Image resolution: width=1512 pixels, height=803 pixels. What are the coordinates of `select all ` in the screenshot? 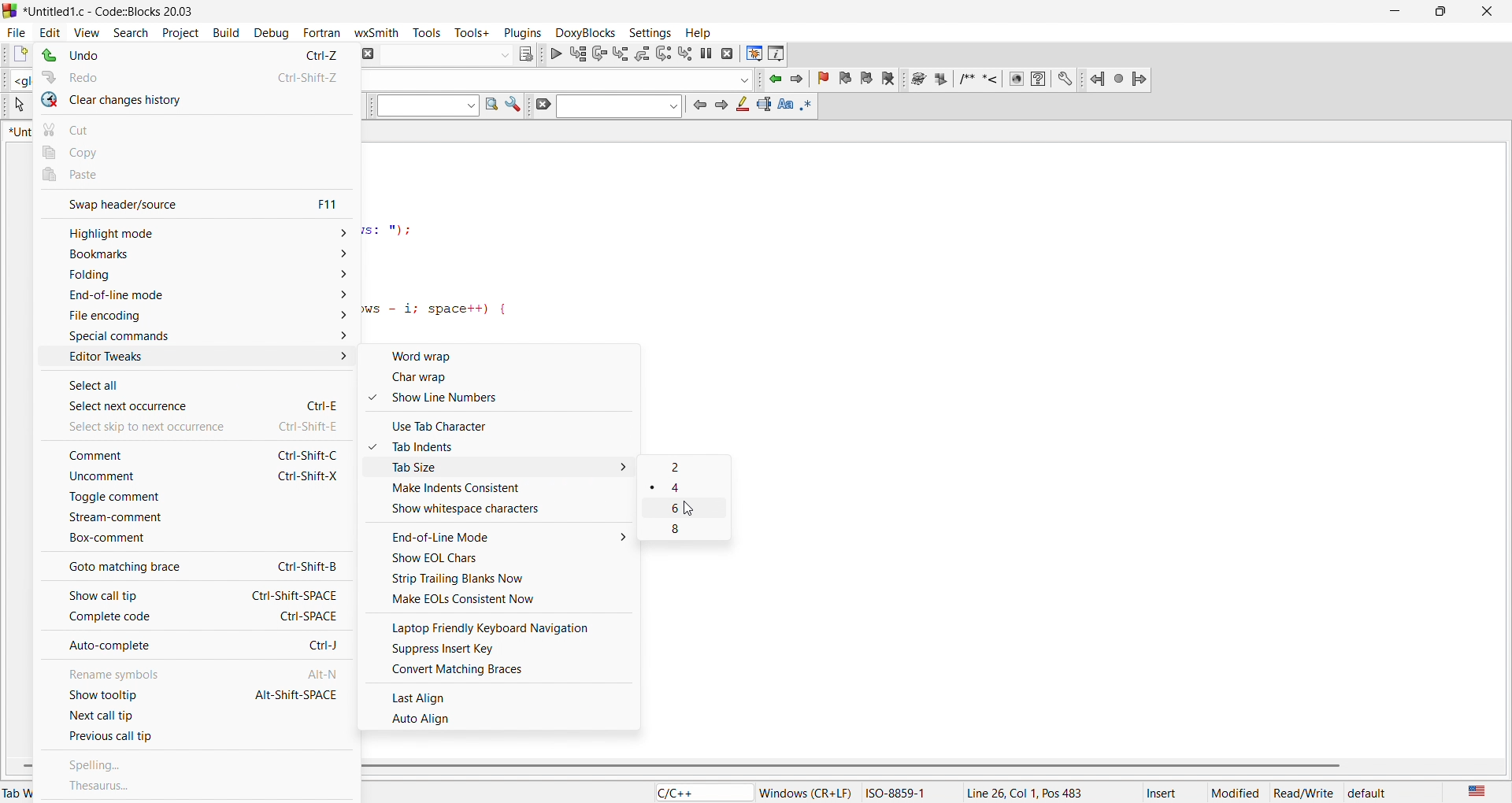 It's located at (135, 387).